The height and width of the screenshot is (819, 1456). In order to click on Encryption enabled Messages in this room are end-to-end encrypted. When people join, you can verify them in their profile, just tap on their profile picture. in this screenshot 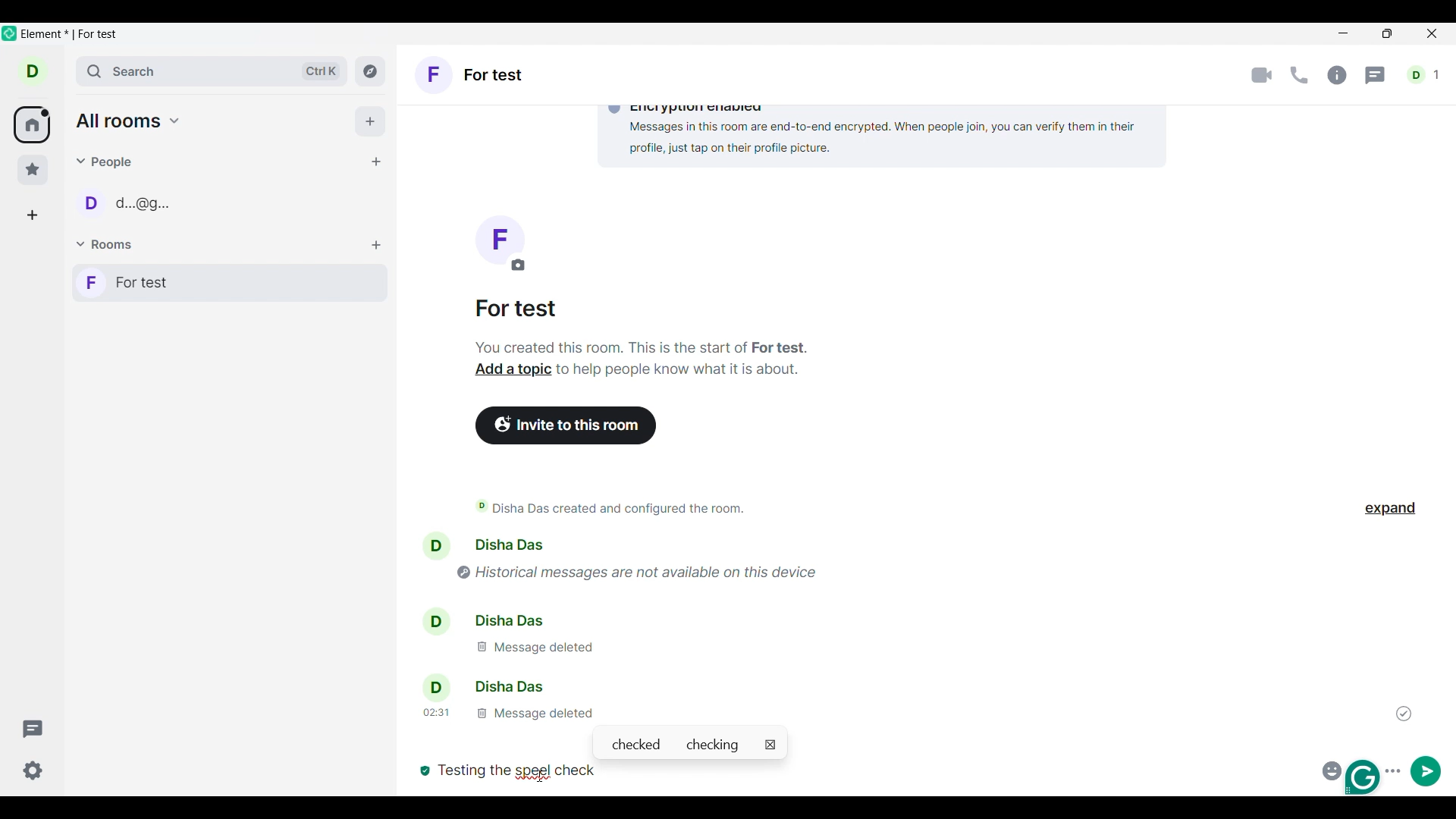, I will do `click(876, 131)`.